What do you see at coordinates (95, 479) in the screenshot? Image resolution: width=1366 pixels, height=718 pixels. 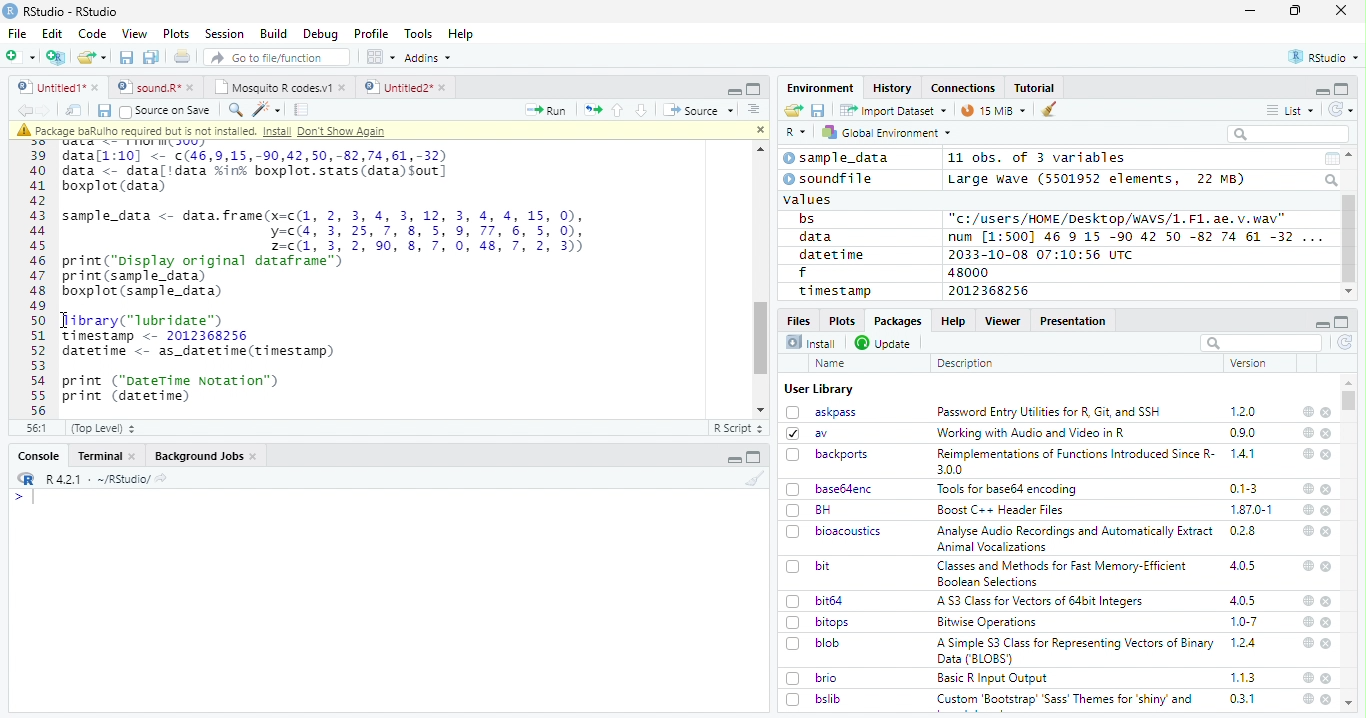 I see `R 4.2.1 - ~/RStudio/` at bounding box center [95, 479].